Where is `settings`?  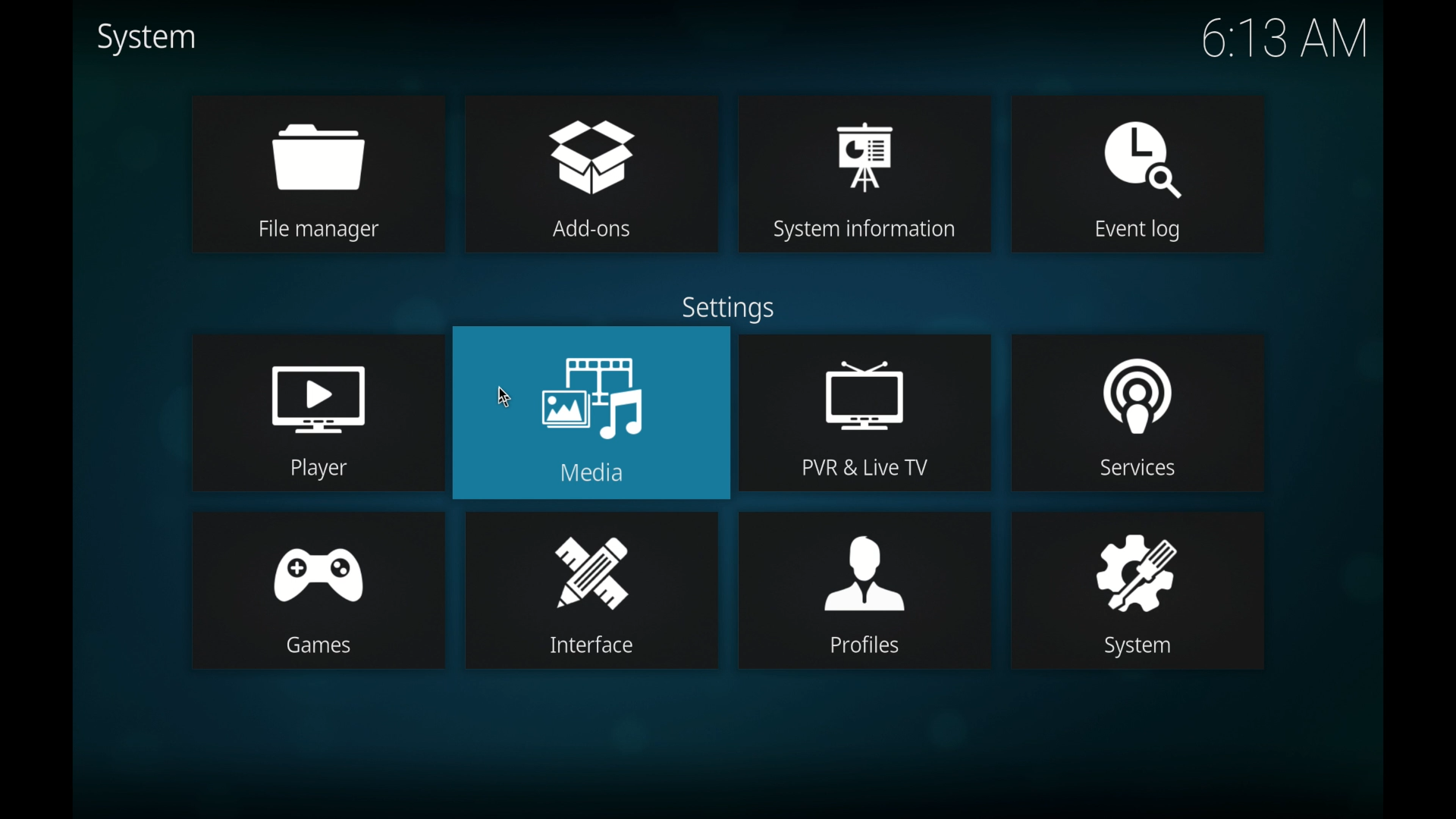
settings is located at coordinates (725, 308).